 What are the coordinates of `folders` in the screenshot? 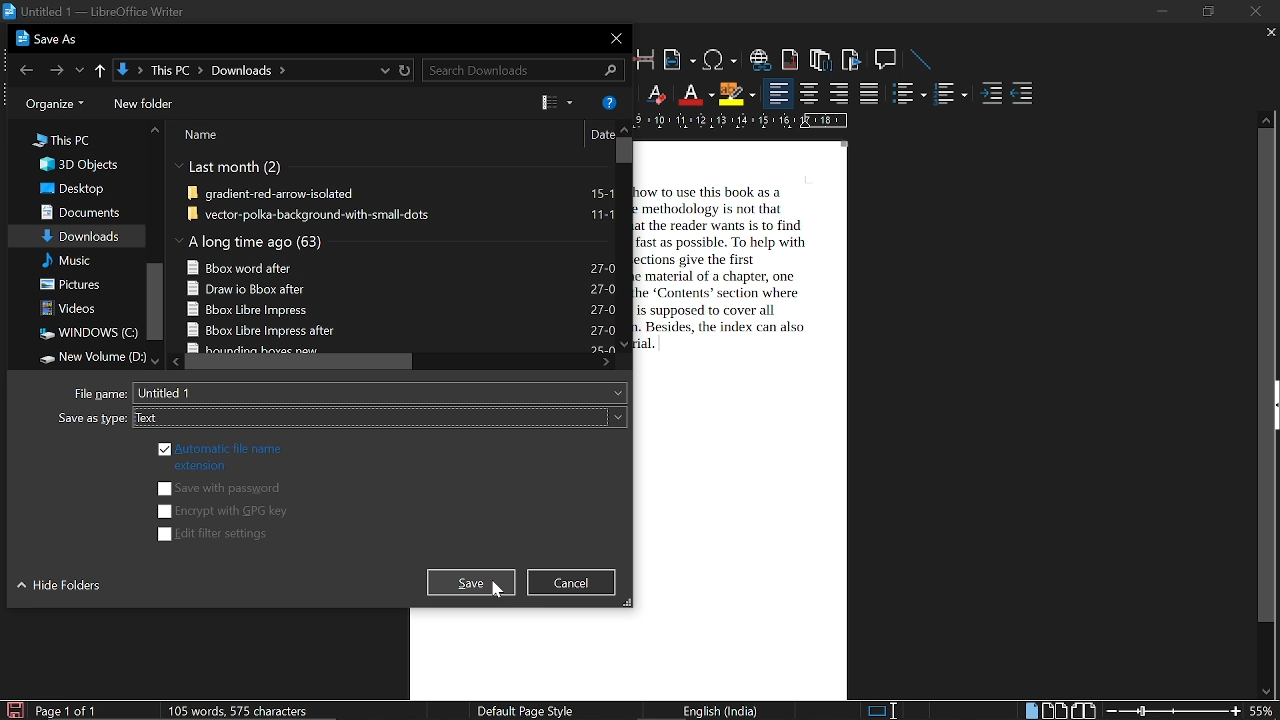 It's located at (144, 104).